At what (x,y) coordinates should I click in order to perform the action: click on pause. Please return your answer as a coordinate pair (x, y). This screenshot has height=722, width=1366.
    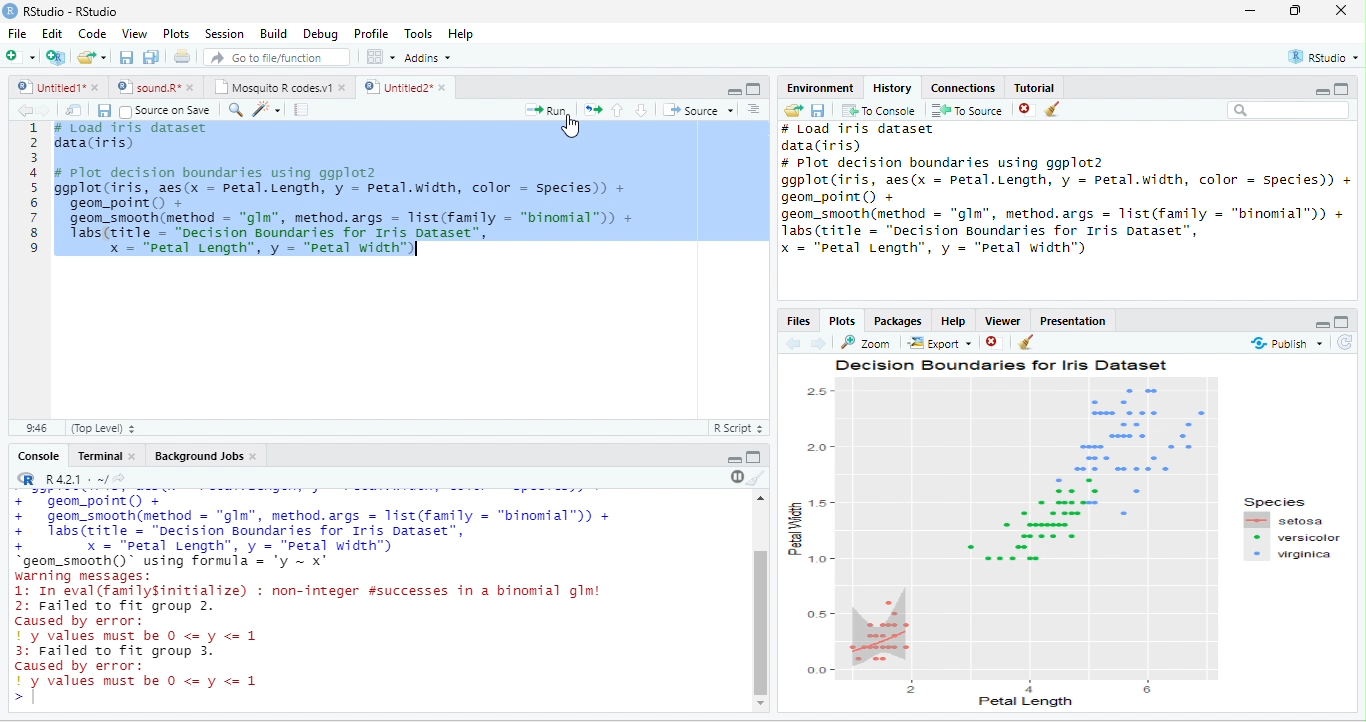
    Looking at the image, I should click on (735, 477).